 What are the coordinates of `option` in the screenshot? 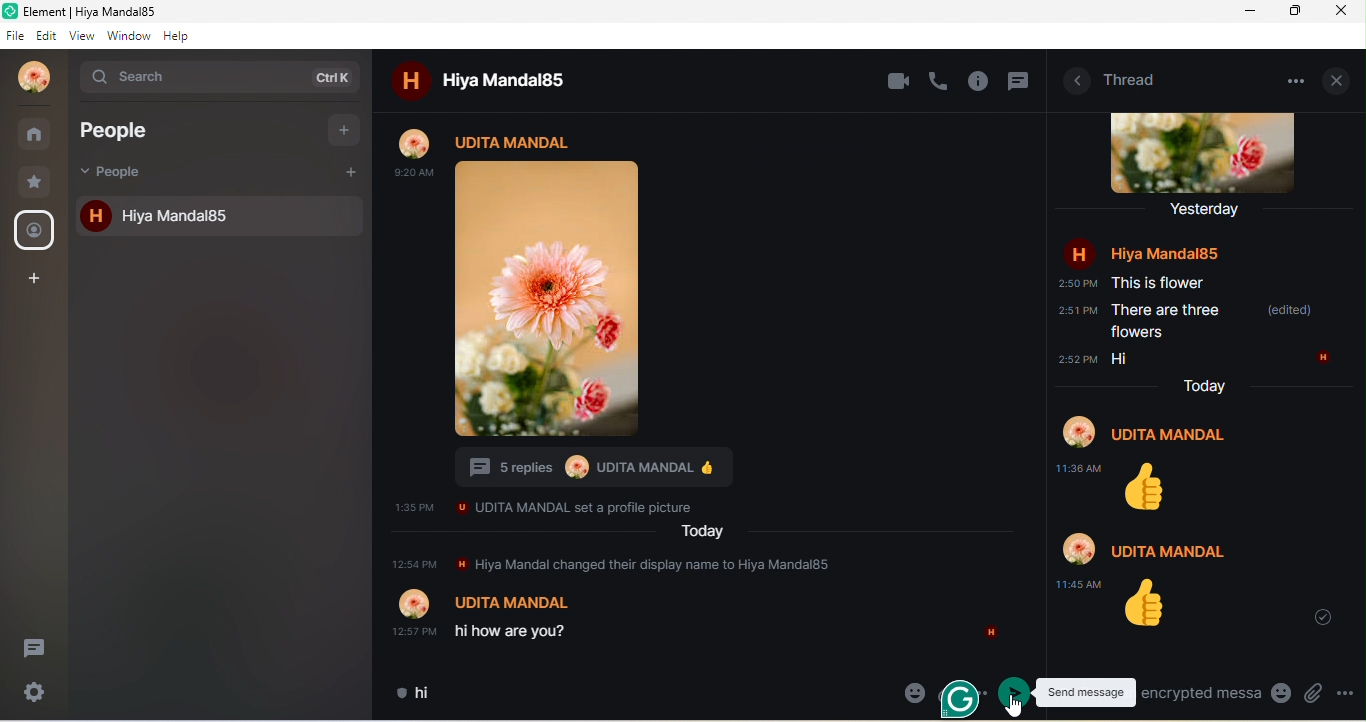 It's located at (1347, 692).